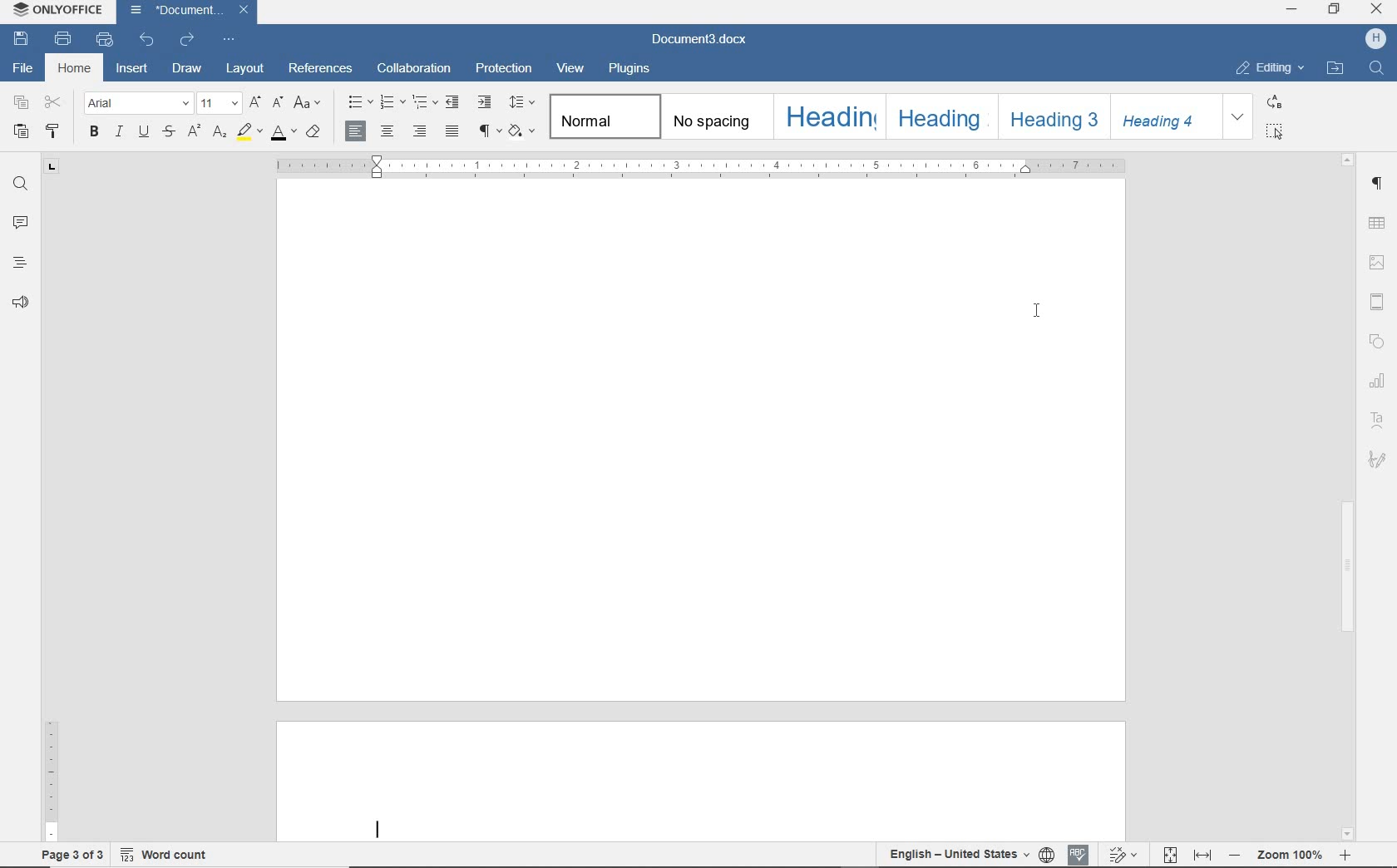 The width and height of the screenshot is (1397, 868). Describe the element at coordinates (485, 103) in the screenshot. I see `INCREASE INDENT` at that location.